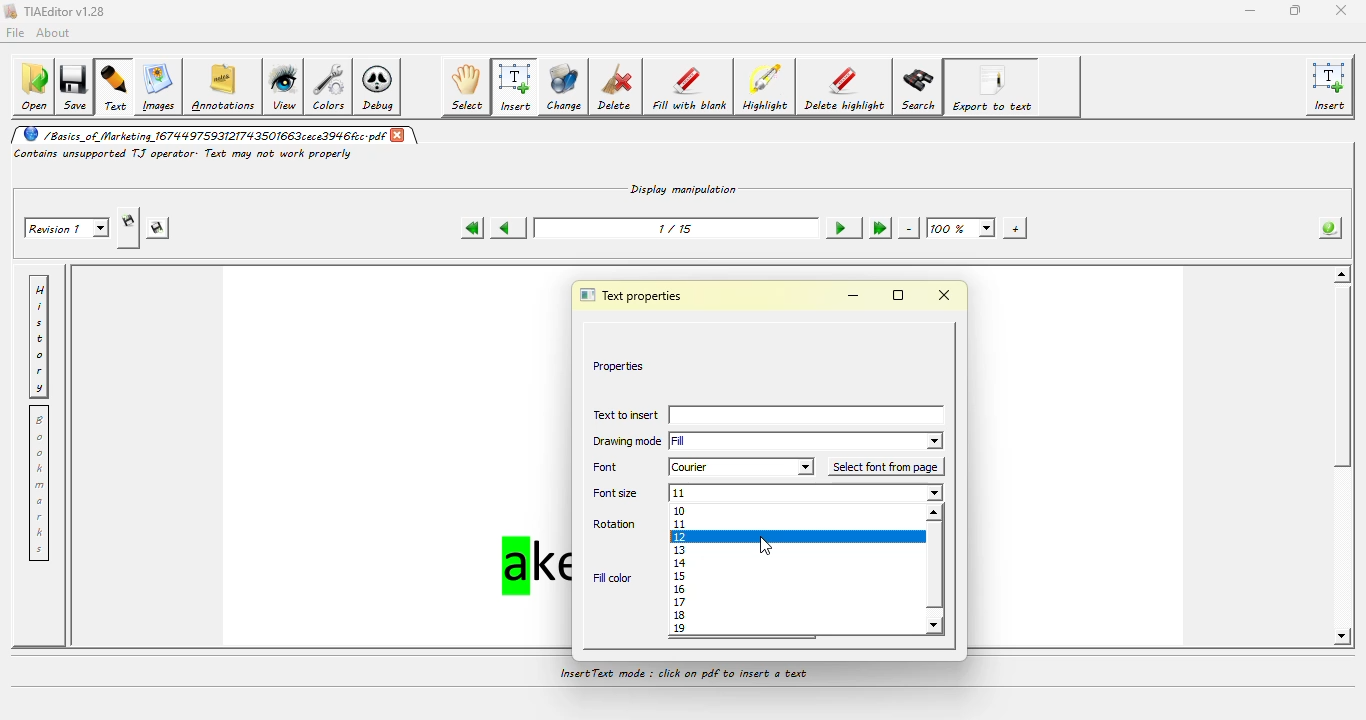 Image resolution: width=1366 pixels, height=720 pixels. What do you see at coordinates (994, 87) in the screenshot?
I see `export to text` at bounding box center [994, 87].